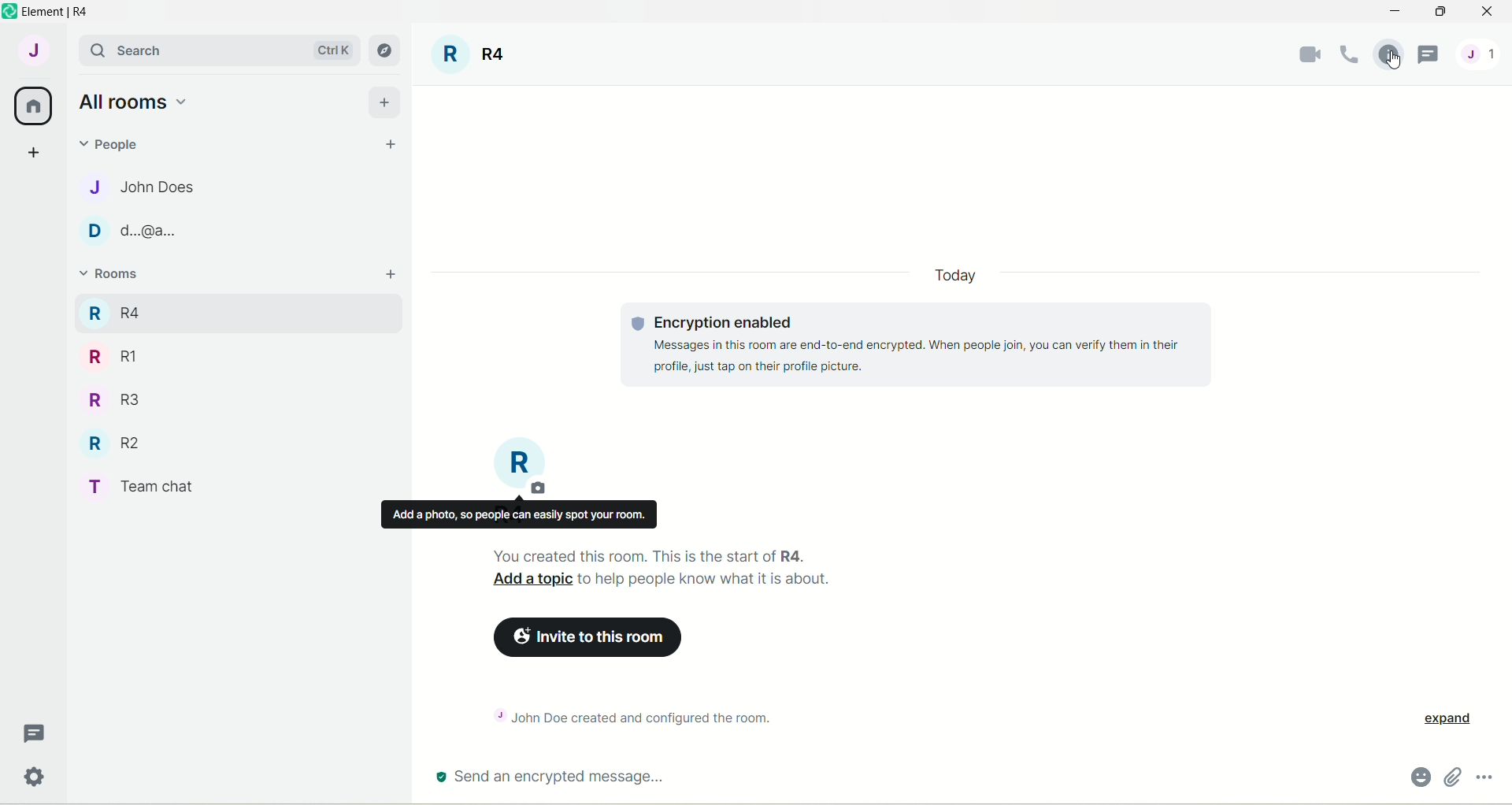  What do you see at coordinates (109, 398) in the screenshot?
I see `R R3` at bounding box center [109, 398].